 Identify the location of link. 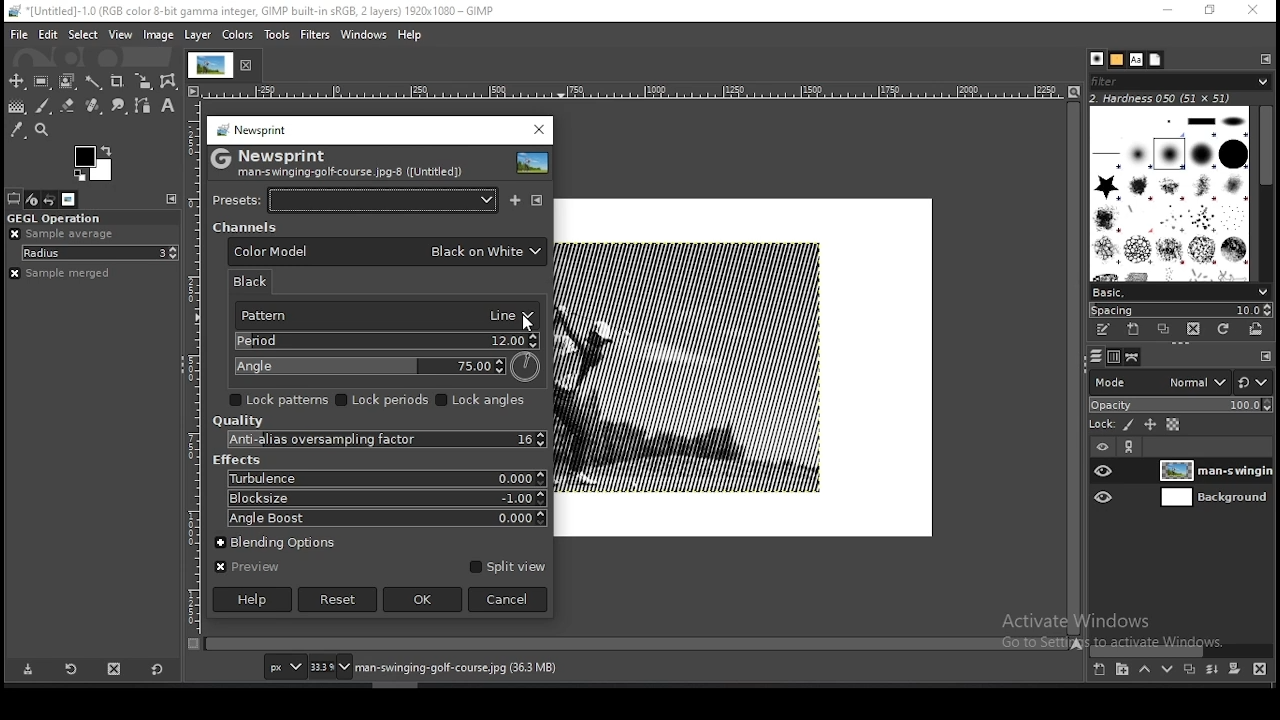
(1130, 446).